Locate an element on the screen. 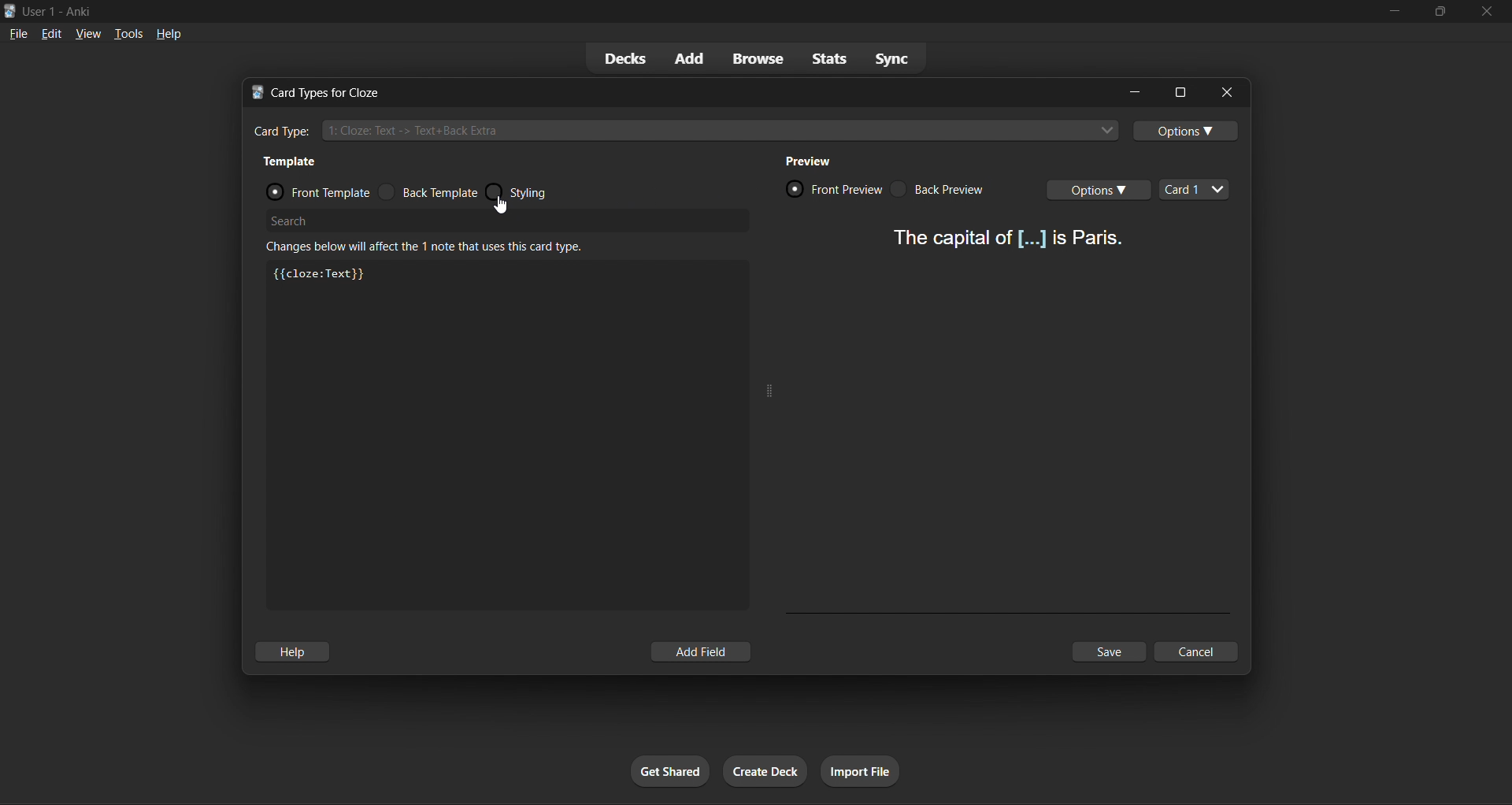 The image size is (1512, 805). minimize is located at coordinates (1398, 12).